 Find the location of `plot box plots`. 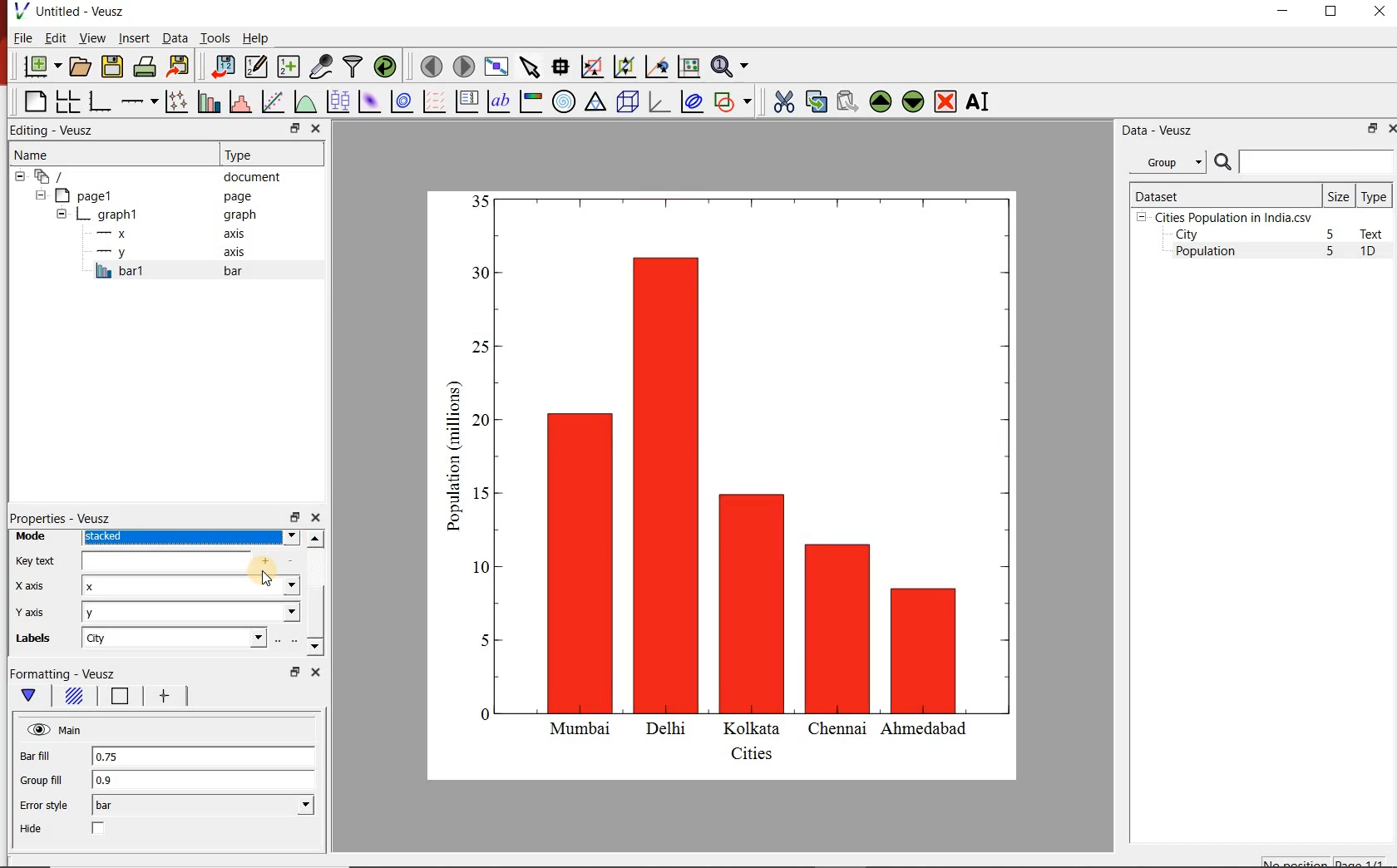

plot box plots is located at coordinates (337, 101).